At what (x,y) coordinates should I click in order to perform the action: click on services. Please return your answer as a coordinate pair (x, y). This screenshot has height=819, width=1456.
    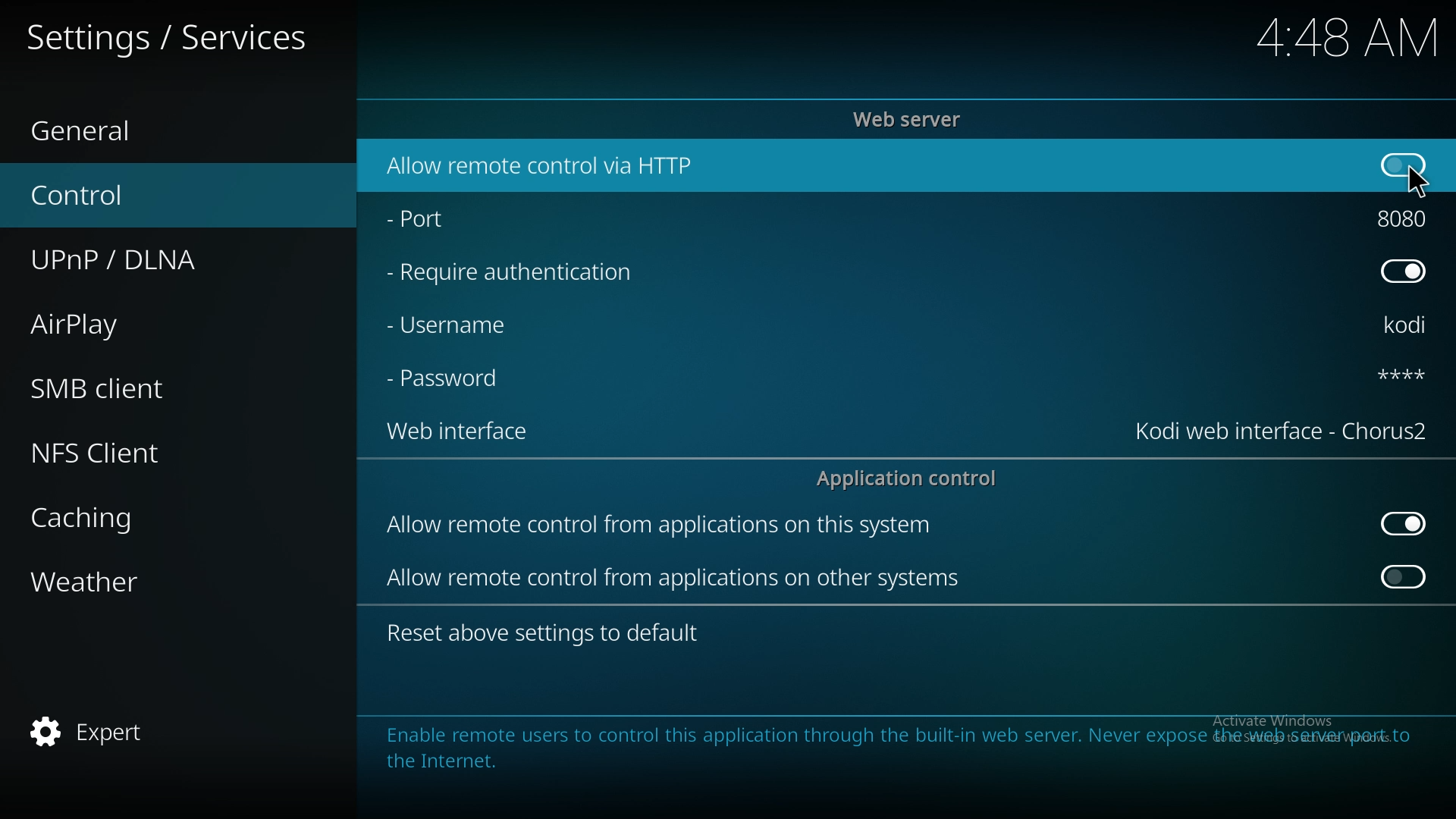
    Looking at the image, I should click on (182, 35).